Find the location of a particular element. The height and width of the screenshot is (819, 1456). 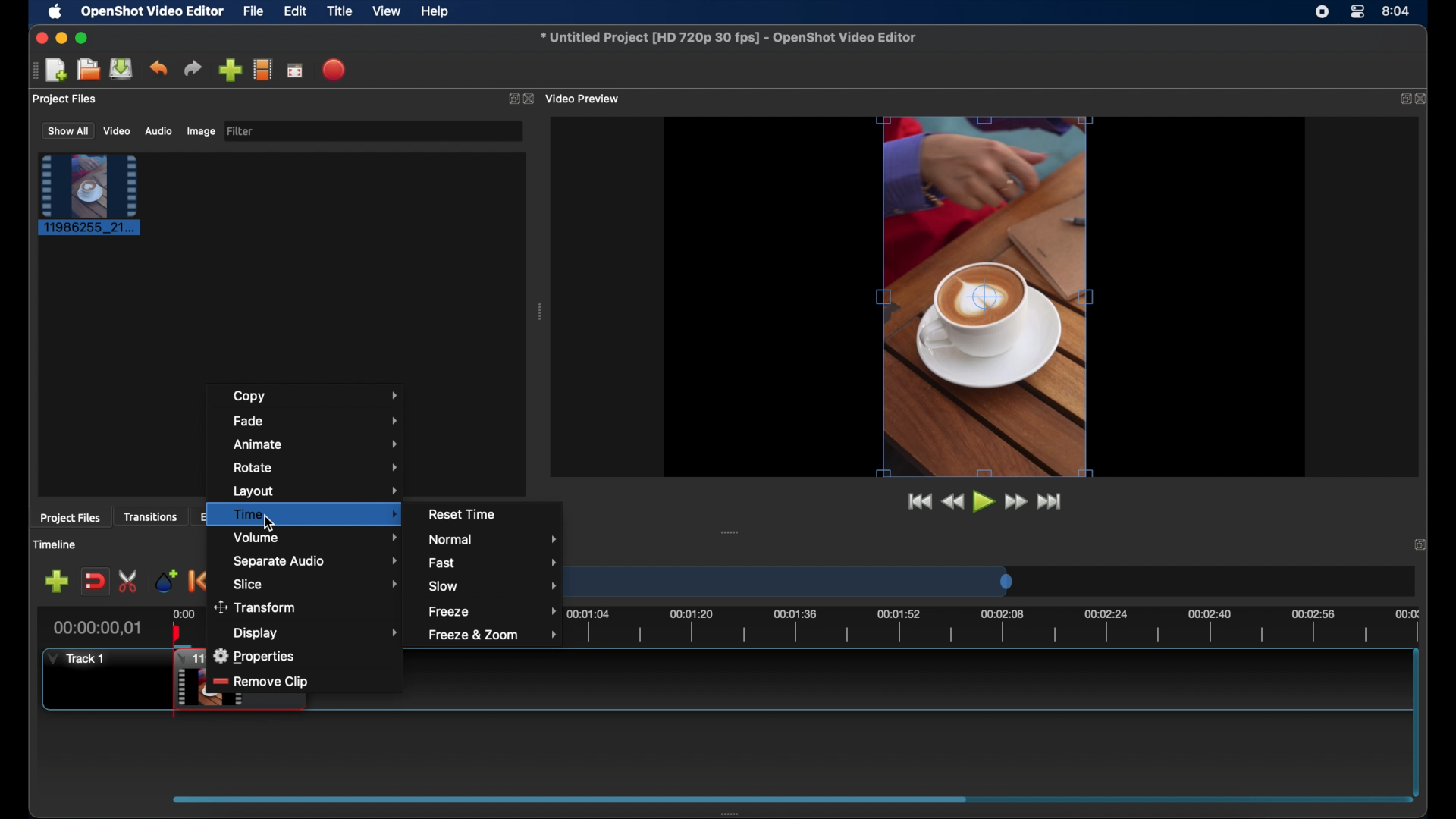

jump to start is located at coordinates (919, 501).